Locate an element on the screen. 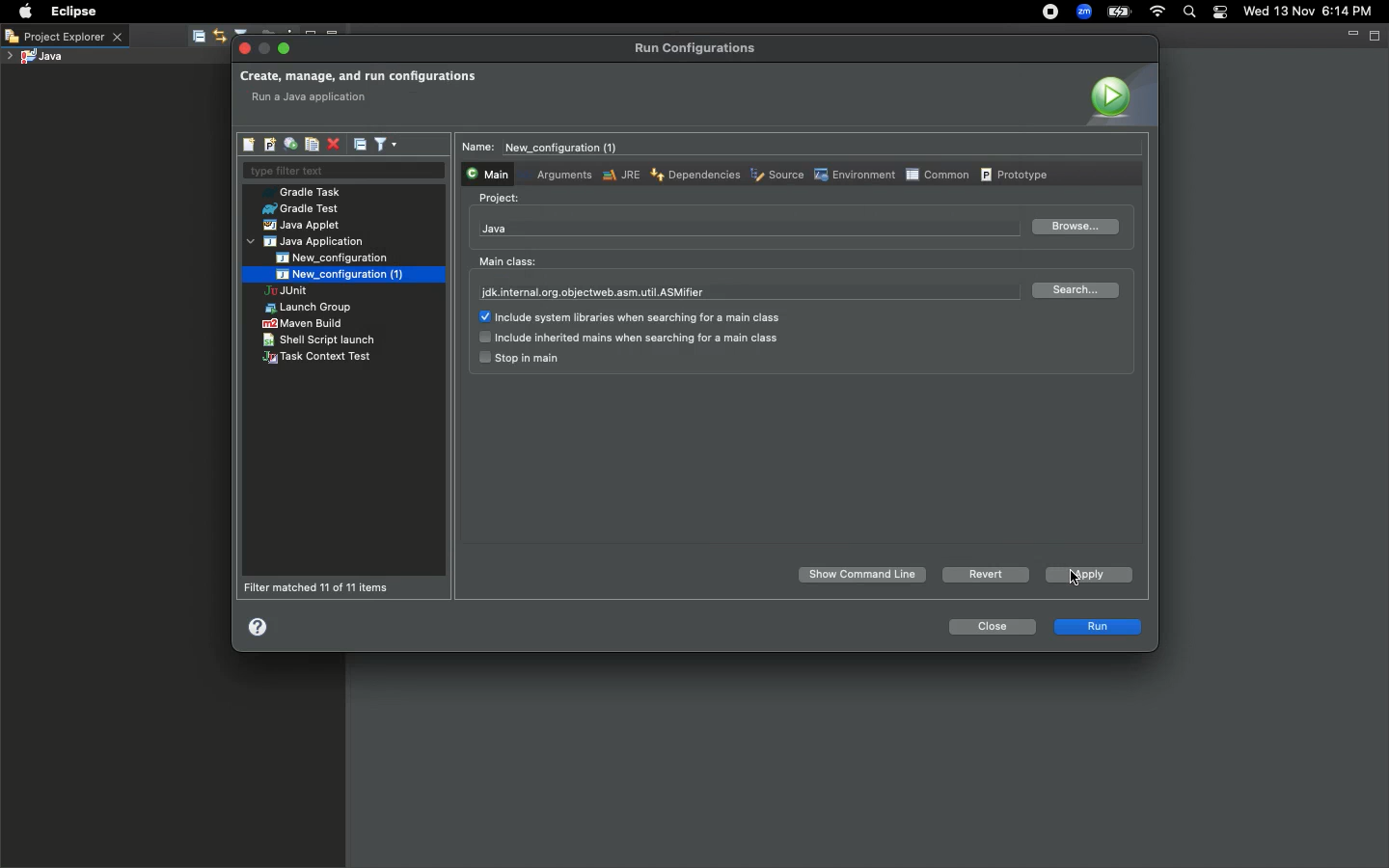  Notification is located at coordinates (1221, 13).